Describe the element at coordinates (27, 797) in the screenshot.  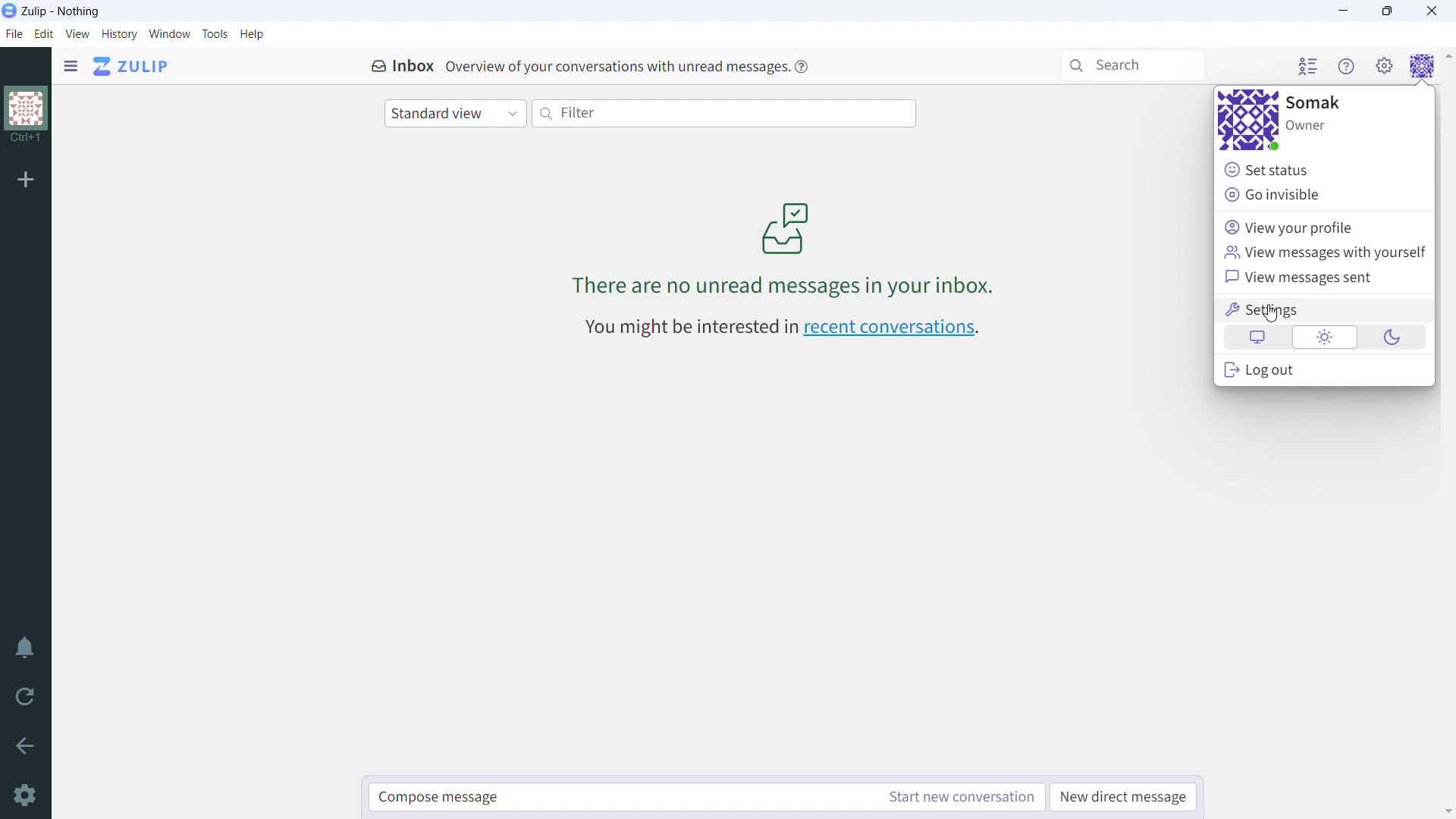
I see `settings` at that location.